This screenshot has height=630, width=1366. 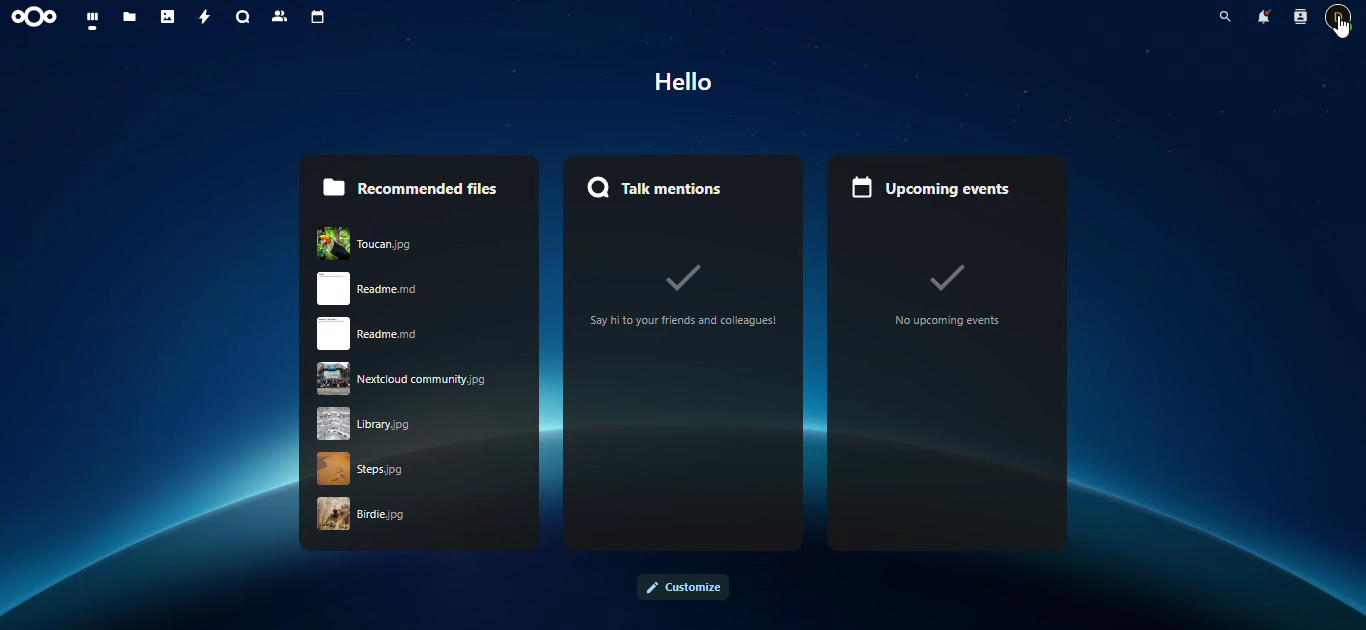 What do you see at coordinates (408, 378) in the screenshot?
I see `nextcloud community.jpg` at bounding box center [408, 378].